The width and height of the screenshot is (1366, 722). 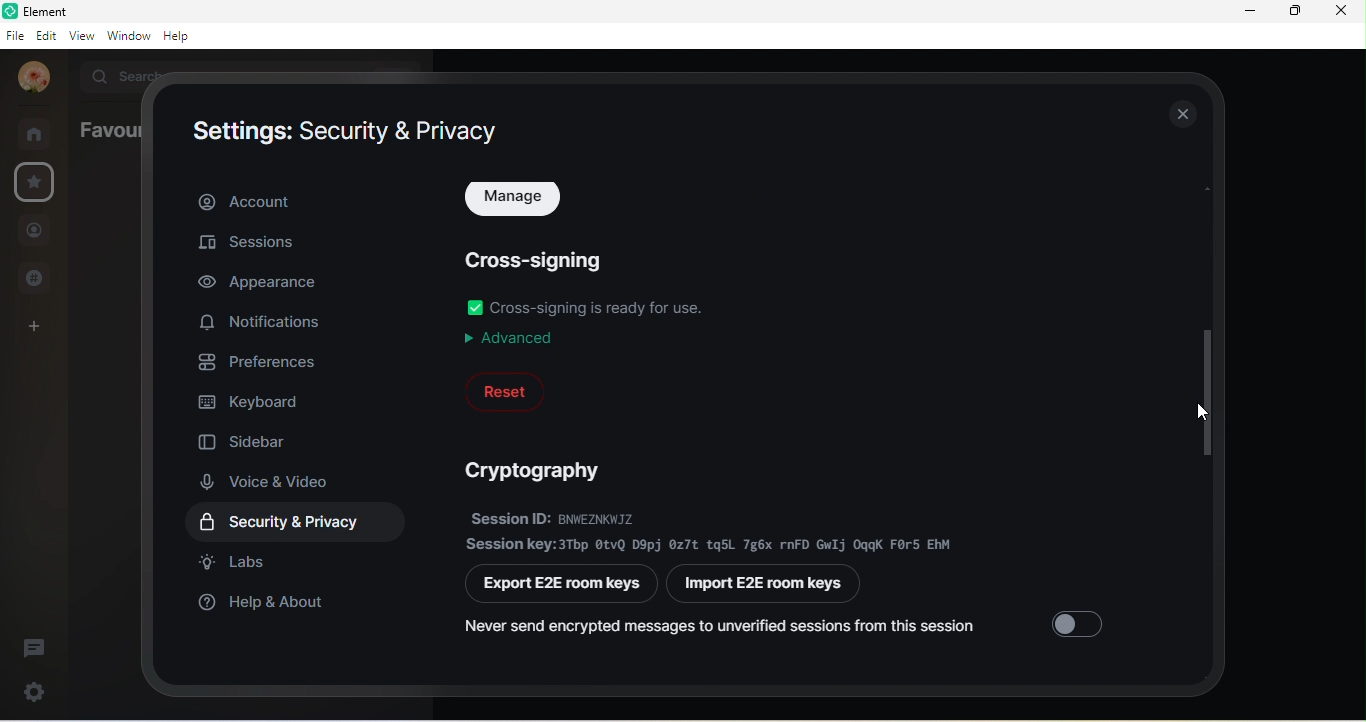 What do you see at coordinates (71, 10) in the screenshot?
I see `element b room` at bounding box center [71, 10].